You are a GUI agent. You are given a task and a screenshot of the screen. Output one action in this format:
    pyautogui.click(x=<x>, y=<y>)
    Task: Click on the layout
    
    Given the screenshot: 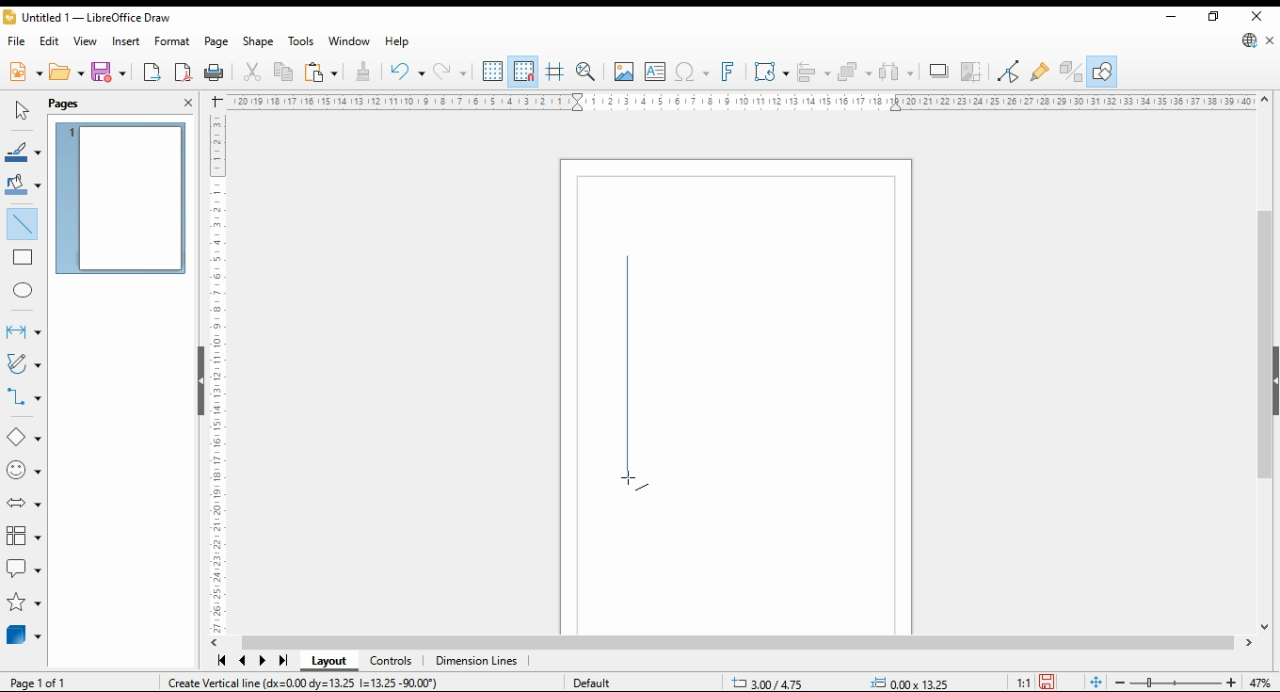 What is the action you would take?
    pyautogui.click(x=328, y=662)
    